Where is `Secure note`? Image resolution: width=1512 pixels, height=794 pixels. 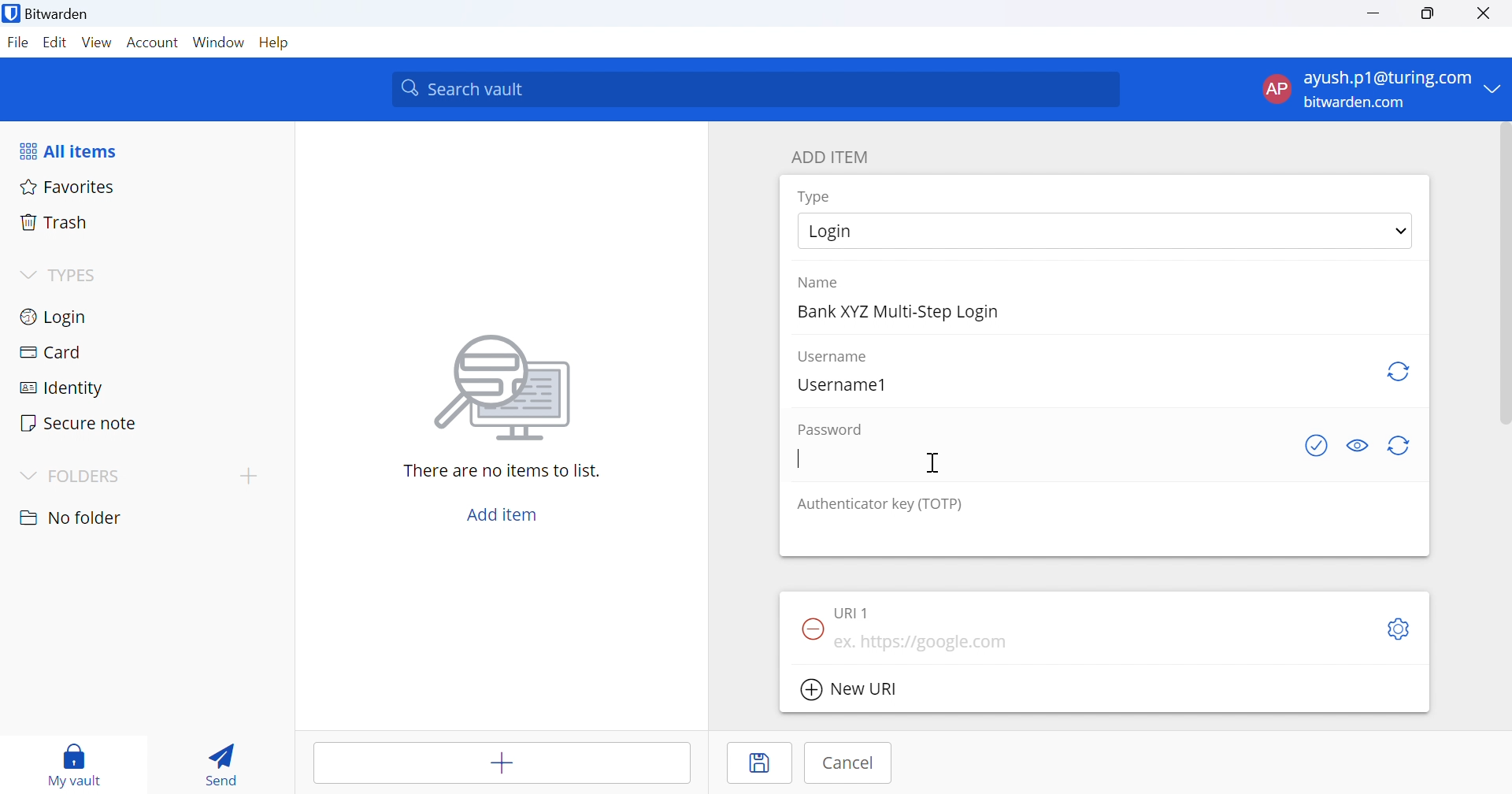
Secure note is located at coordinates (81, 425).